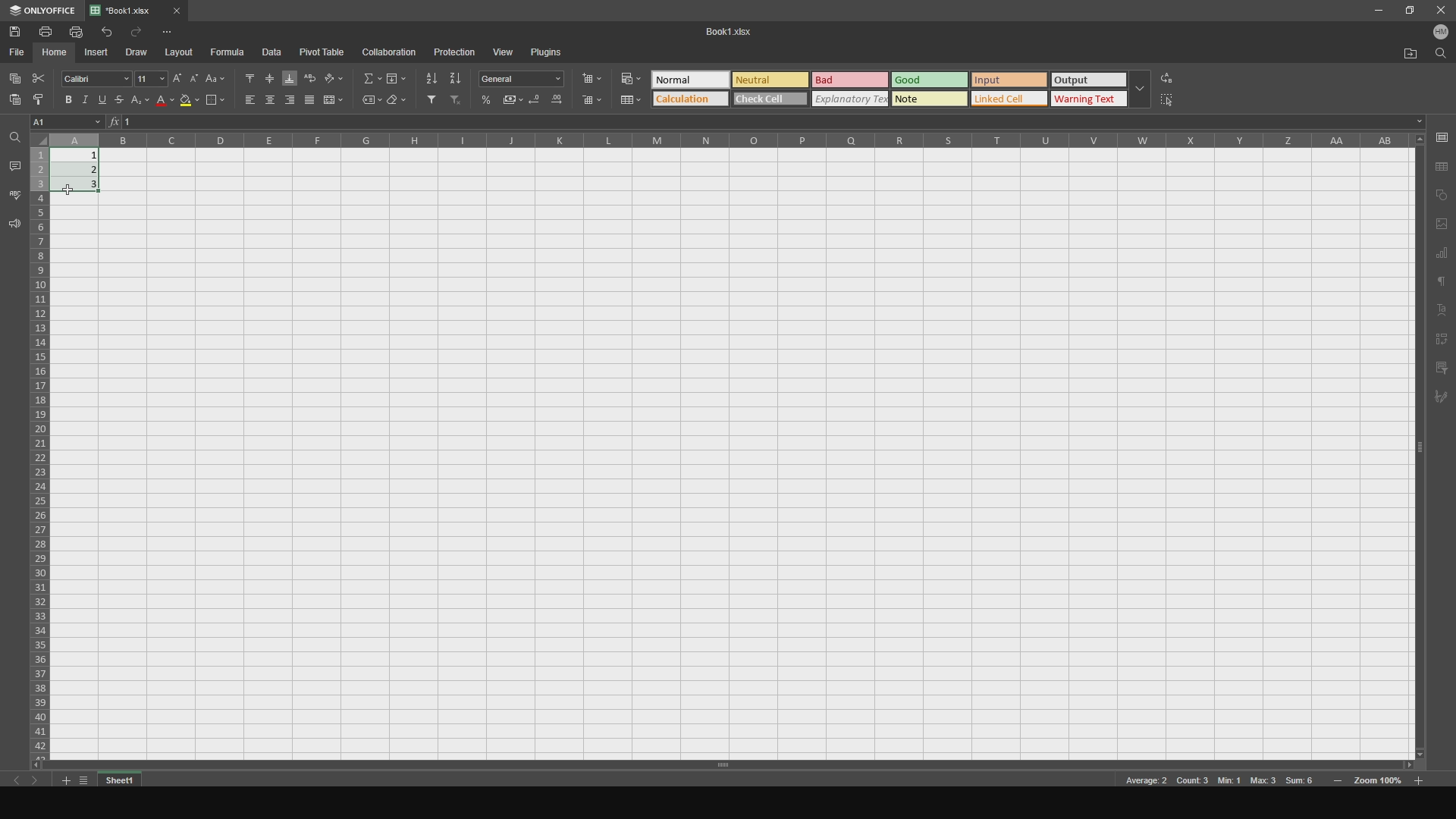 The width and height of the screenshot is (1456, 819). What do you see at coordinates (453, 52) in the screenshot?
I see `protection` at bounding box center [453, 52].